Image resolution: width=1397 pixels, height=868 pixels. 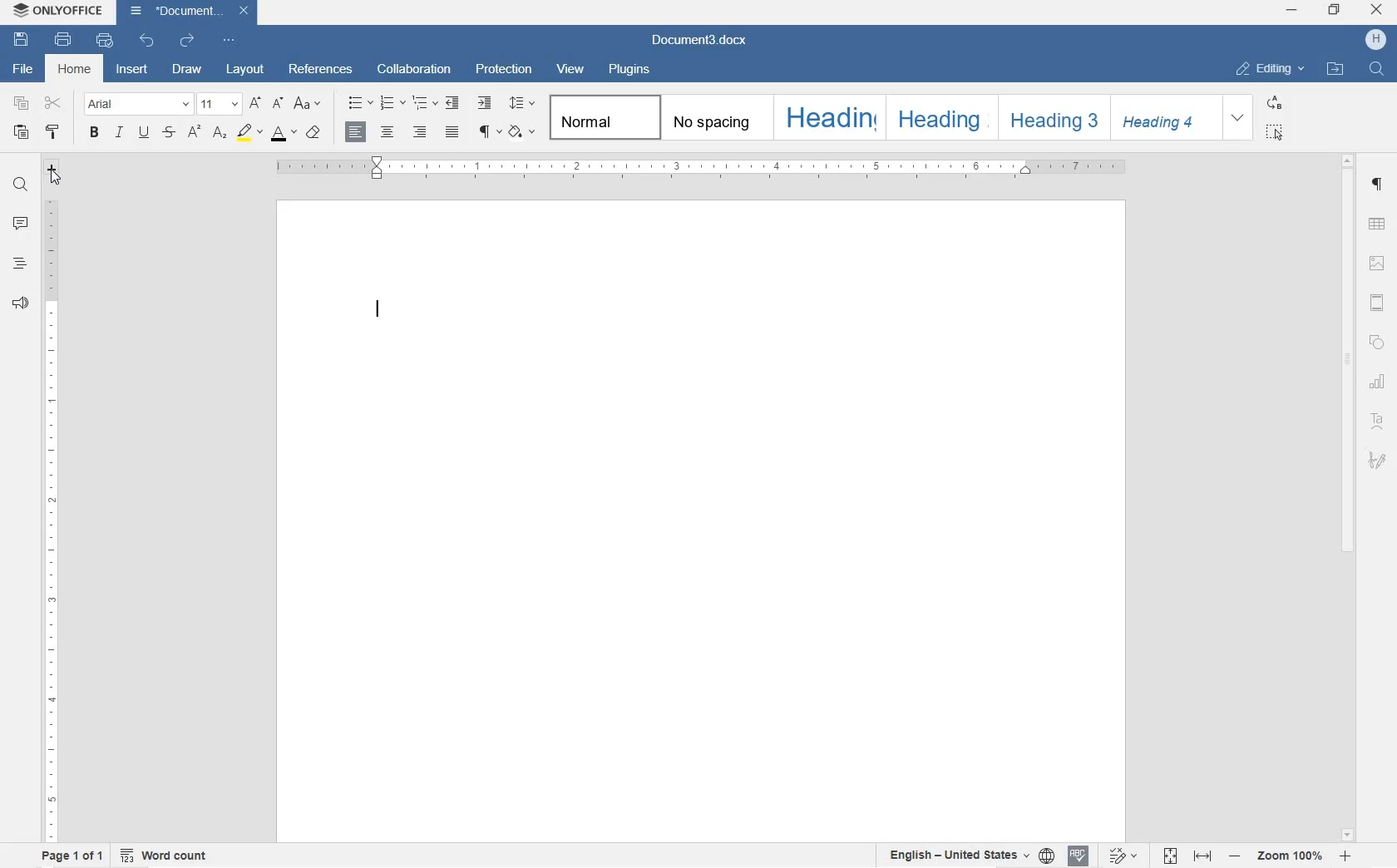 I want to click on NO SPACING, so click(x=714, y=117).